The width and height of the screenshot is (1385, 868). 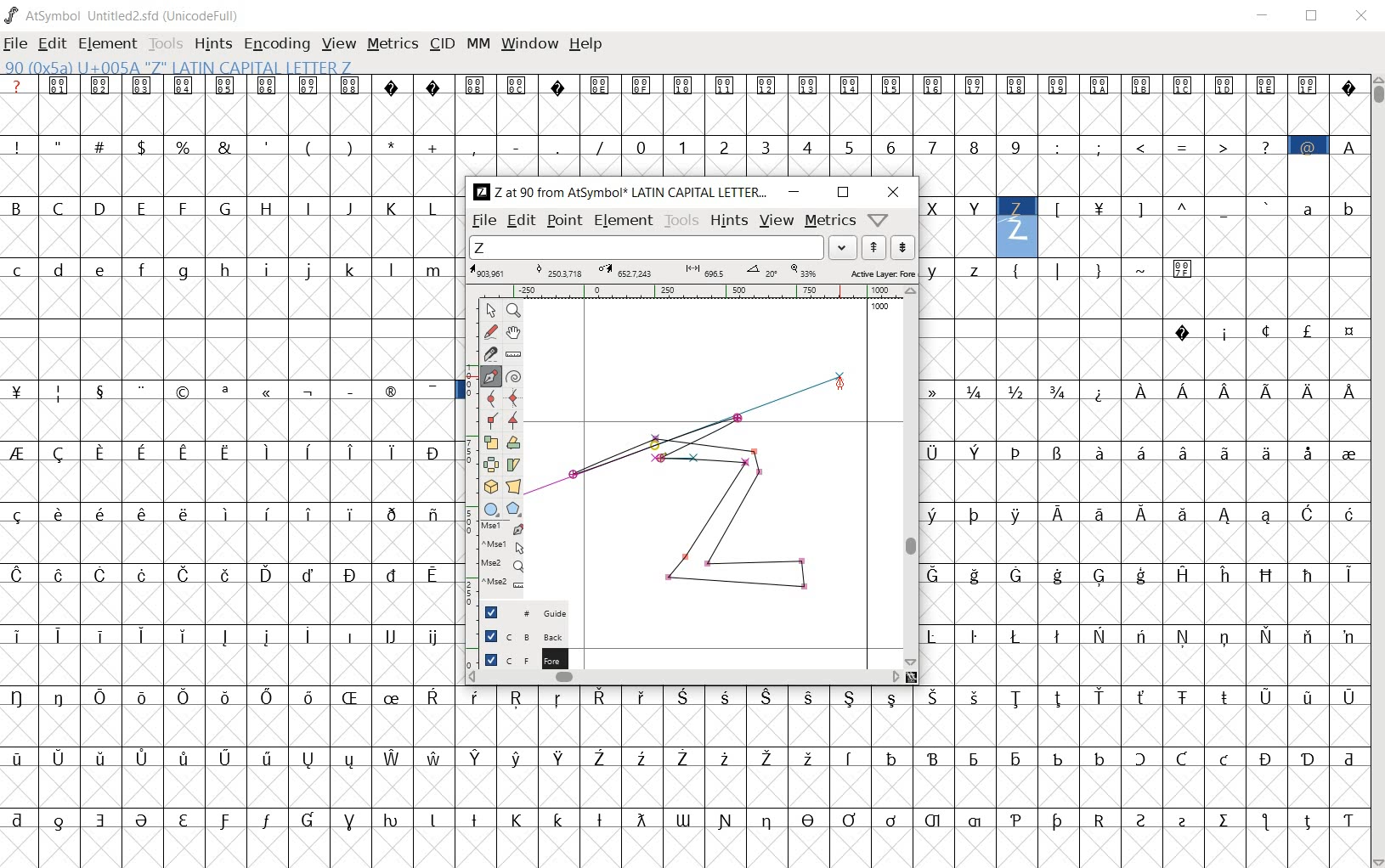 What do you see at coordinates (873, 248) in the screenshot?
I see `show the next word on the list` at bounding box center [873, 248].